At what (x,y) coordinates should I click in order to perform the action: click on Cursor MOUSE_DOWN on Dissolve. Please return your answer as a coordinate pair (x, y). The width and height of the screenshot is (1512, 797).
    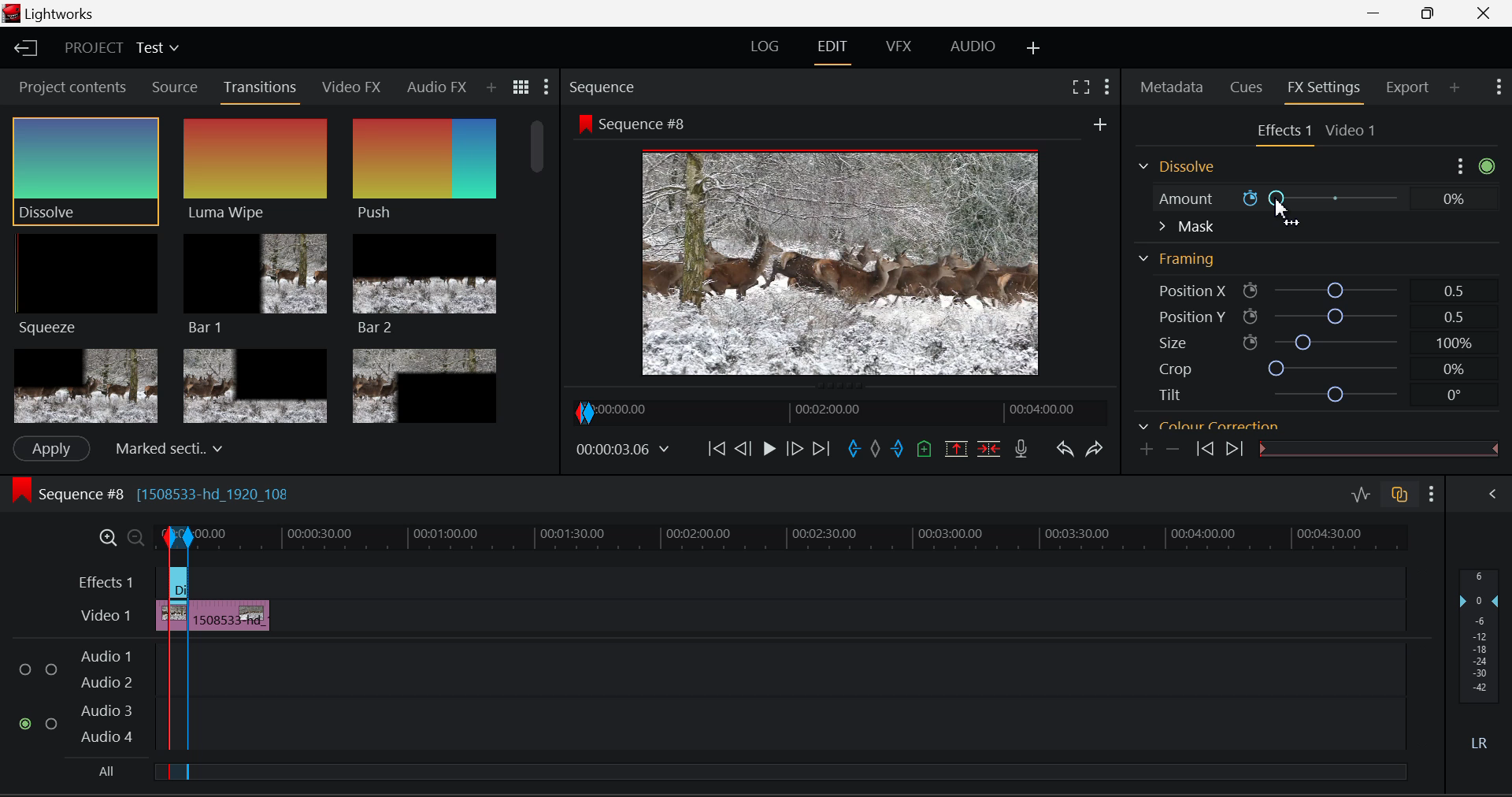
    Looking at the image, I should click on (87, 170).